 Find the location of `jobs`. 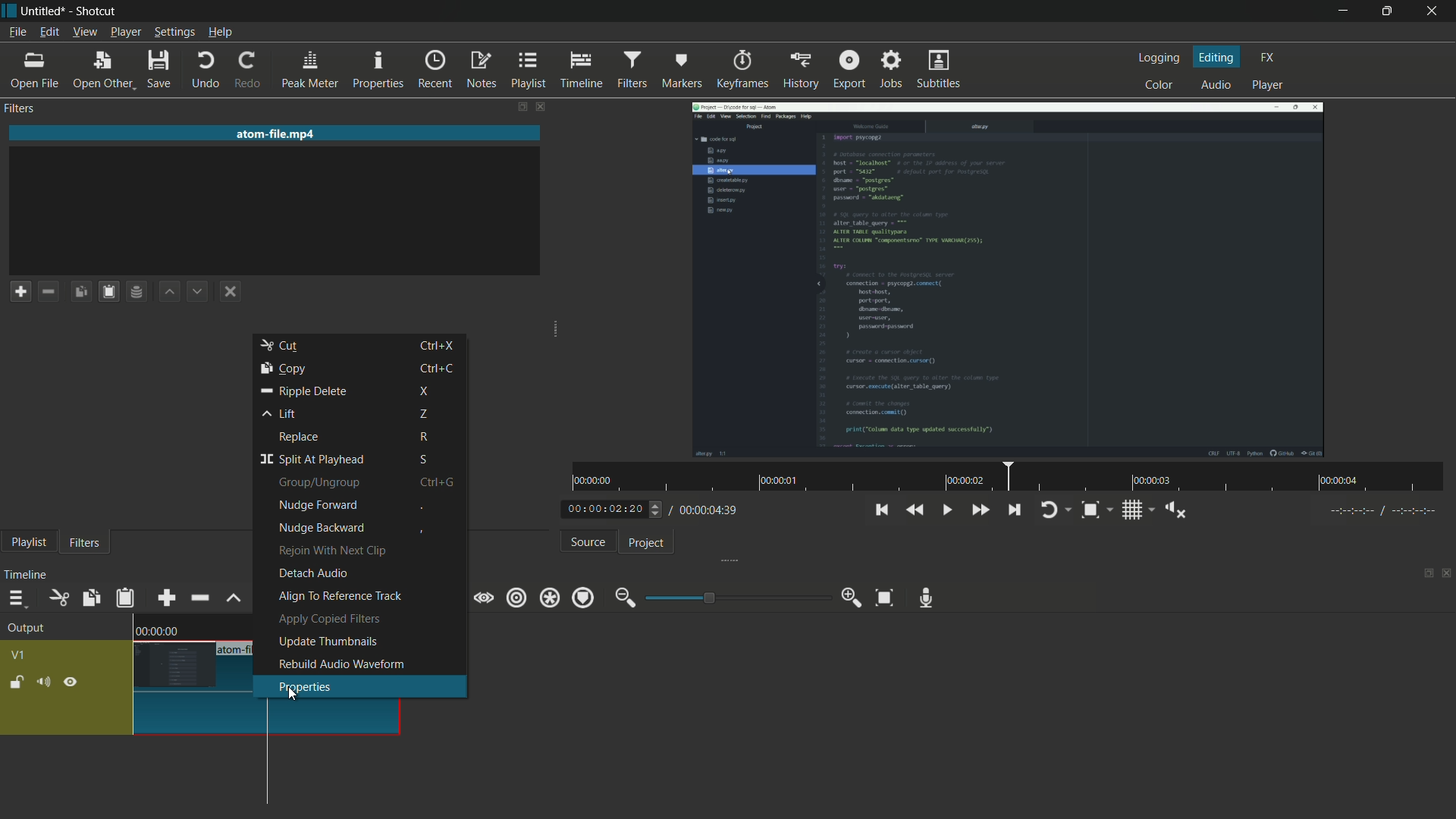

jobs is located at coordinates (891, 69).